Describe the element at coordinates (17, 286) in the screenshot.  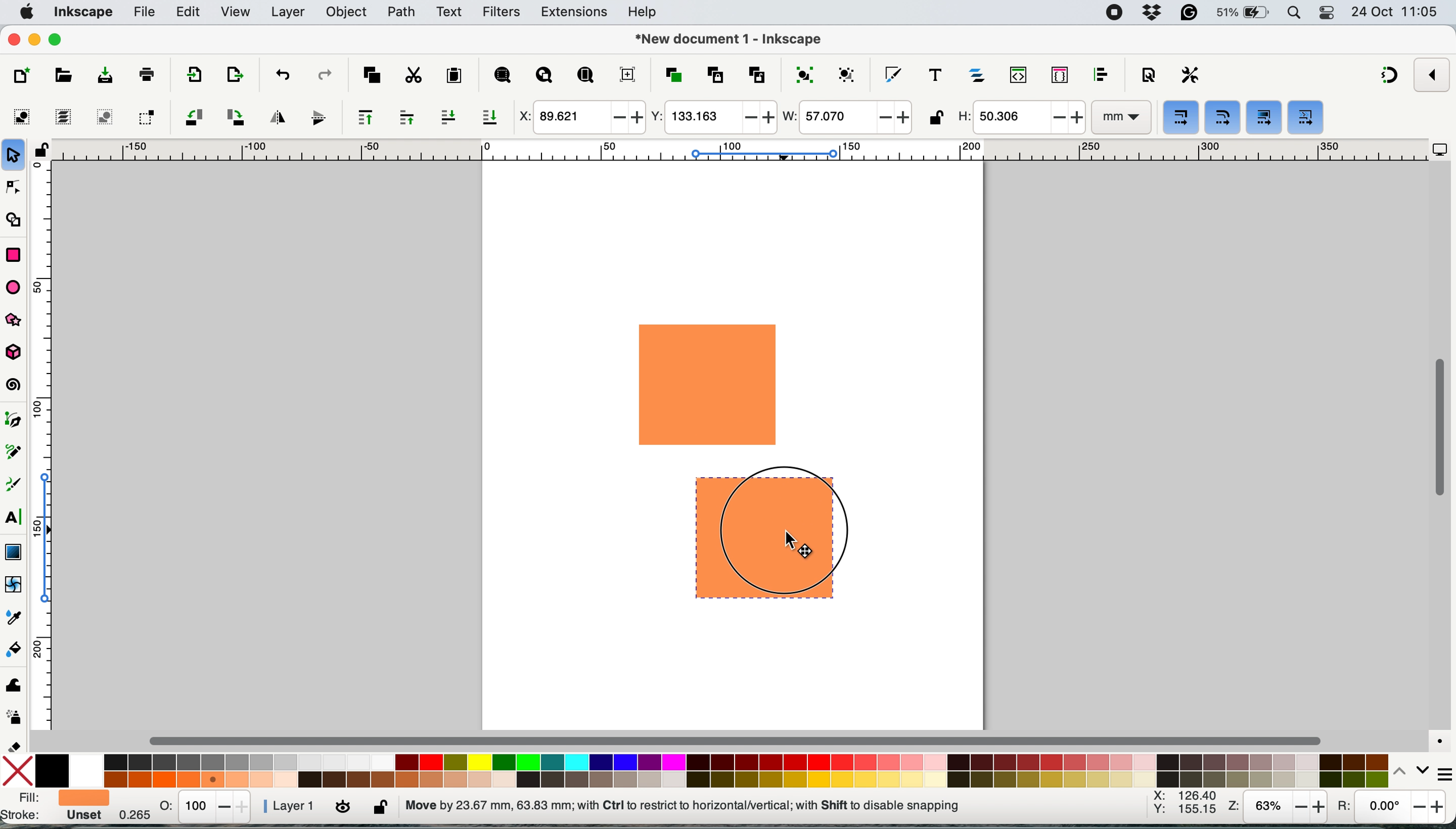
I see `ellipse arc tol` at that location.